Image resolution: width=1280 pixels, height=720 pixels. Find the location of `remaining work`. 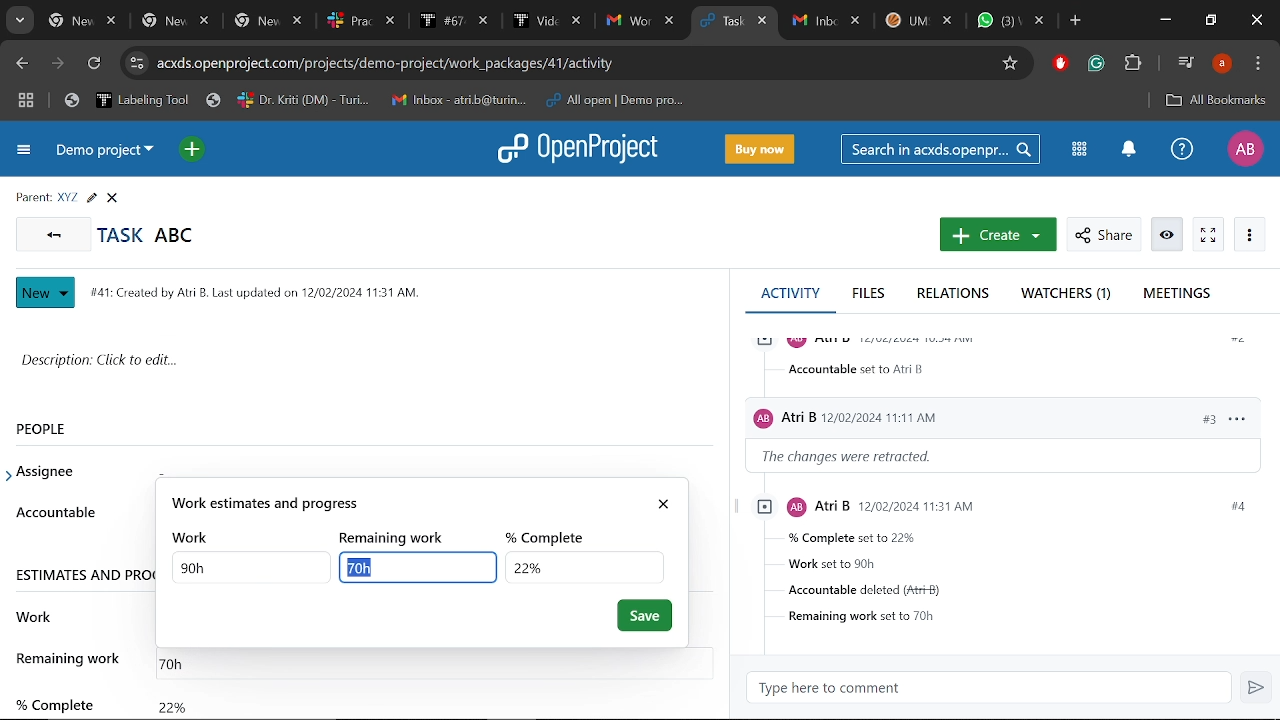

remaining work is located at coordinates (399, 537).